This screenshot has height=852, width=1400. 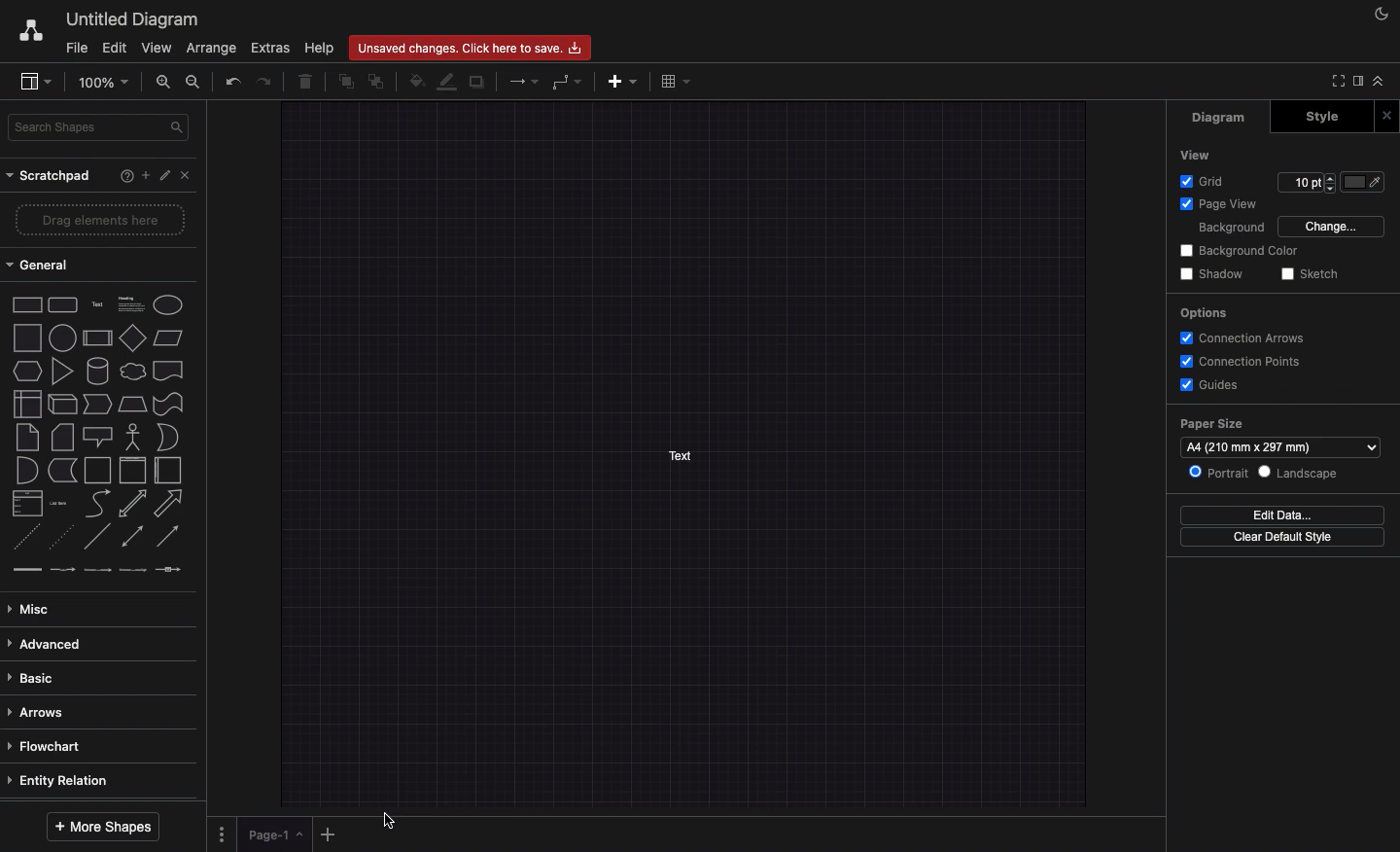 What do you see at coordinates (1360, 82) in the screenshot?
I see `Sidebar` at bounding box center [1360, 82].